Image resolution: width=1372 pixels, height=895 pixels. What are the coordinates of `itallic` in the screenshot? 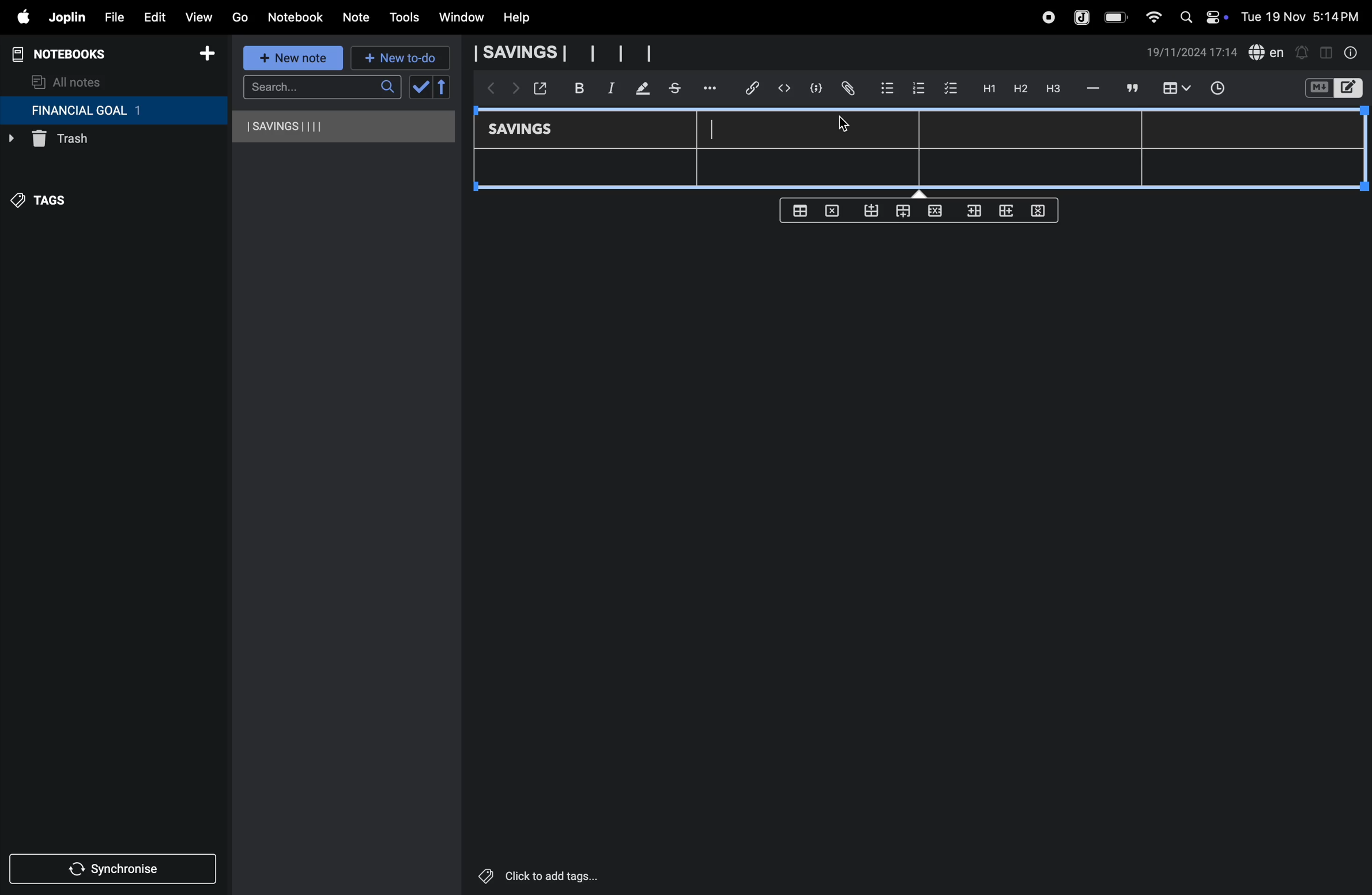 It's located at (609, 88).